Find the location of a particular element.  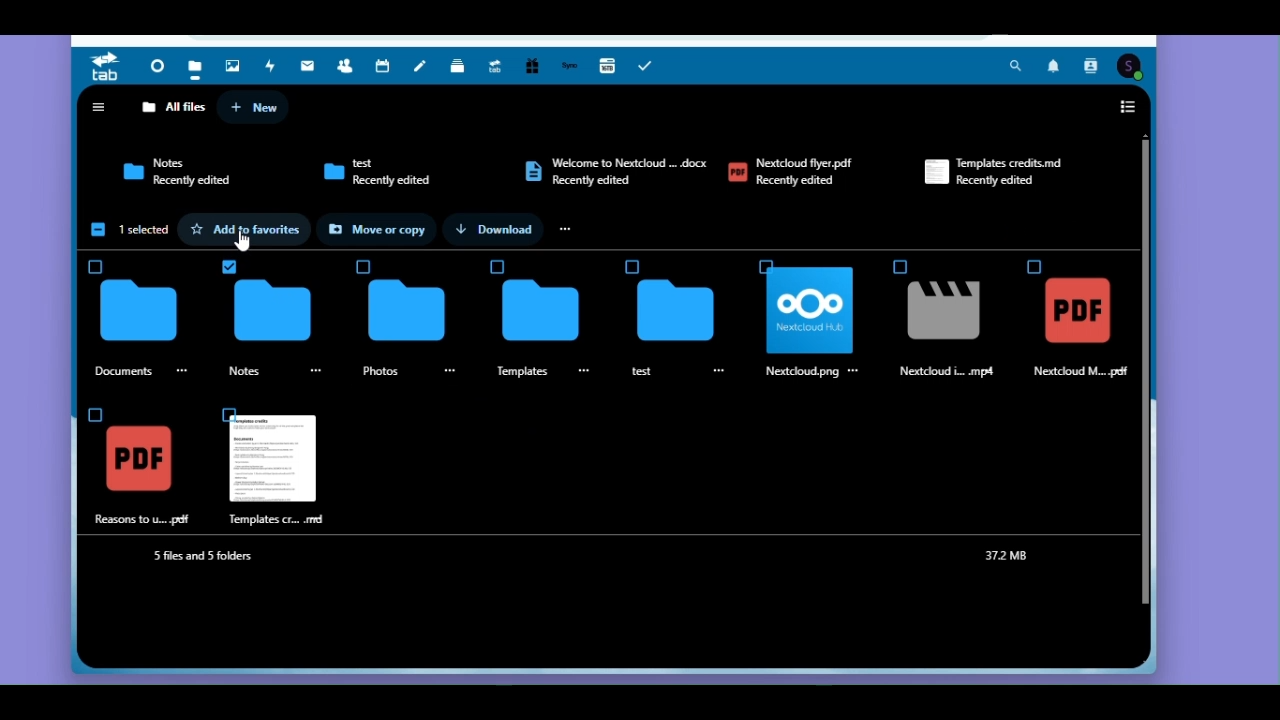

Recently edited is located at coordinates (402, 184).